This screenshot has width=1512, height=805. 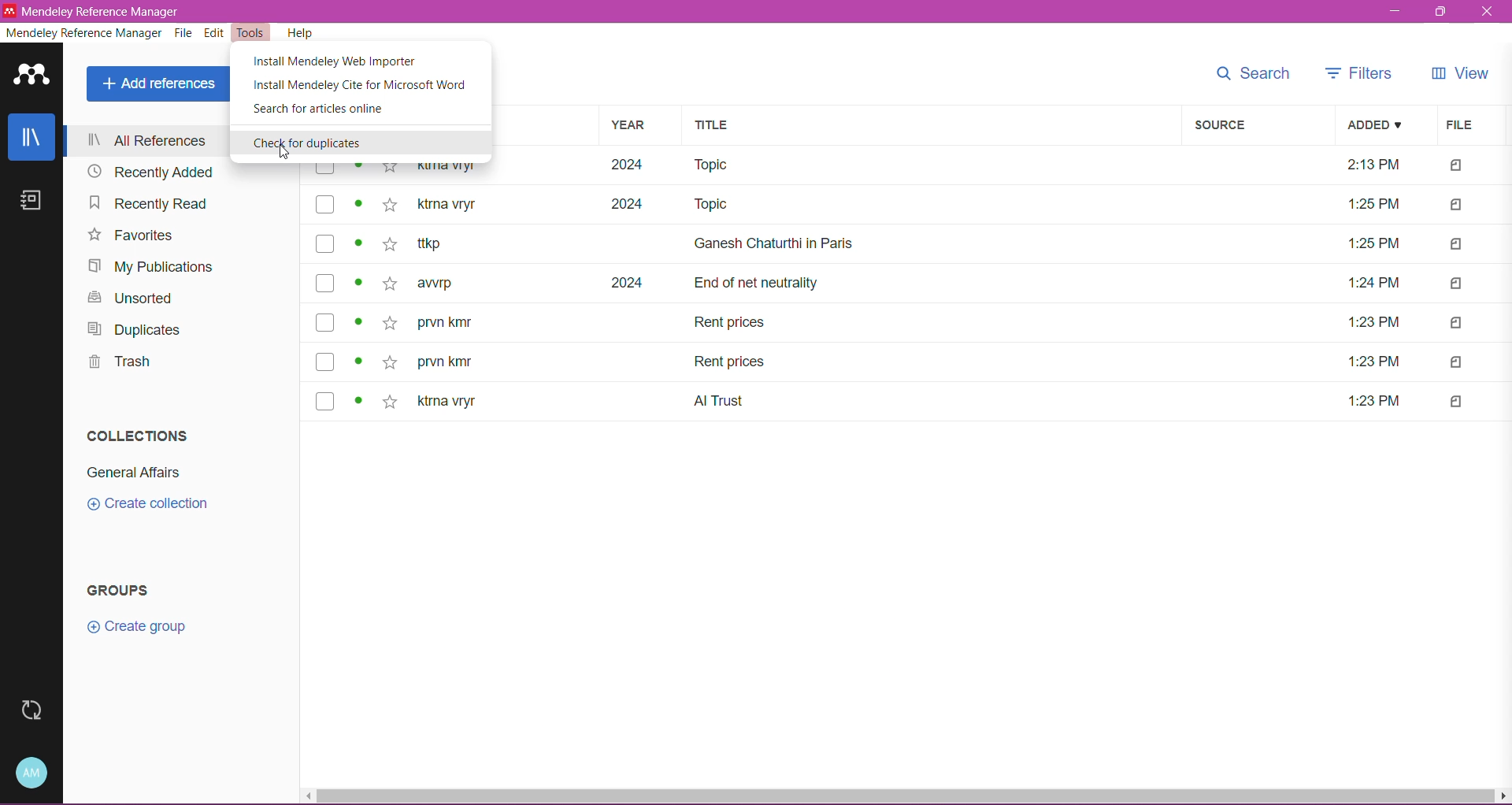 What do you see at coordinates (445, 363) in the screenshot?
I see `author` at bounding box center [445, 363].